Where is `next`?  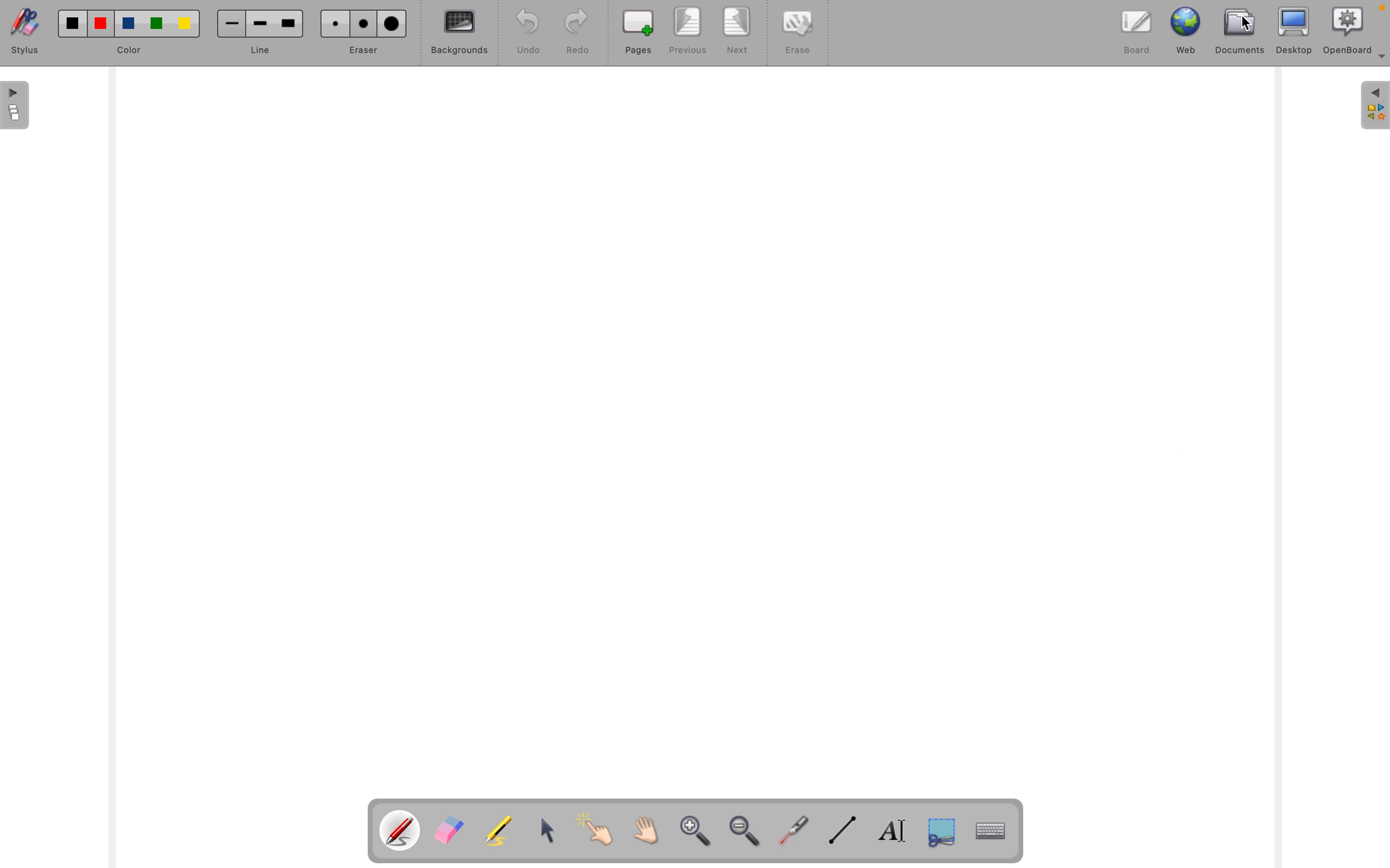
next is located at coordinates (738, 33).